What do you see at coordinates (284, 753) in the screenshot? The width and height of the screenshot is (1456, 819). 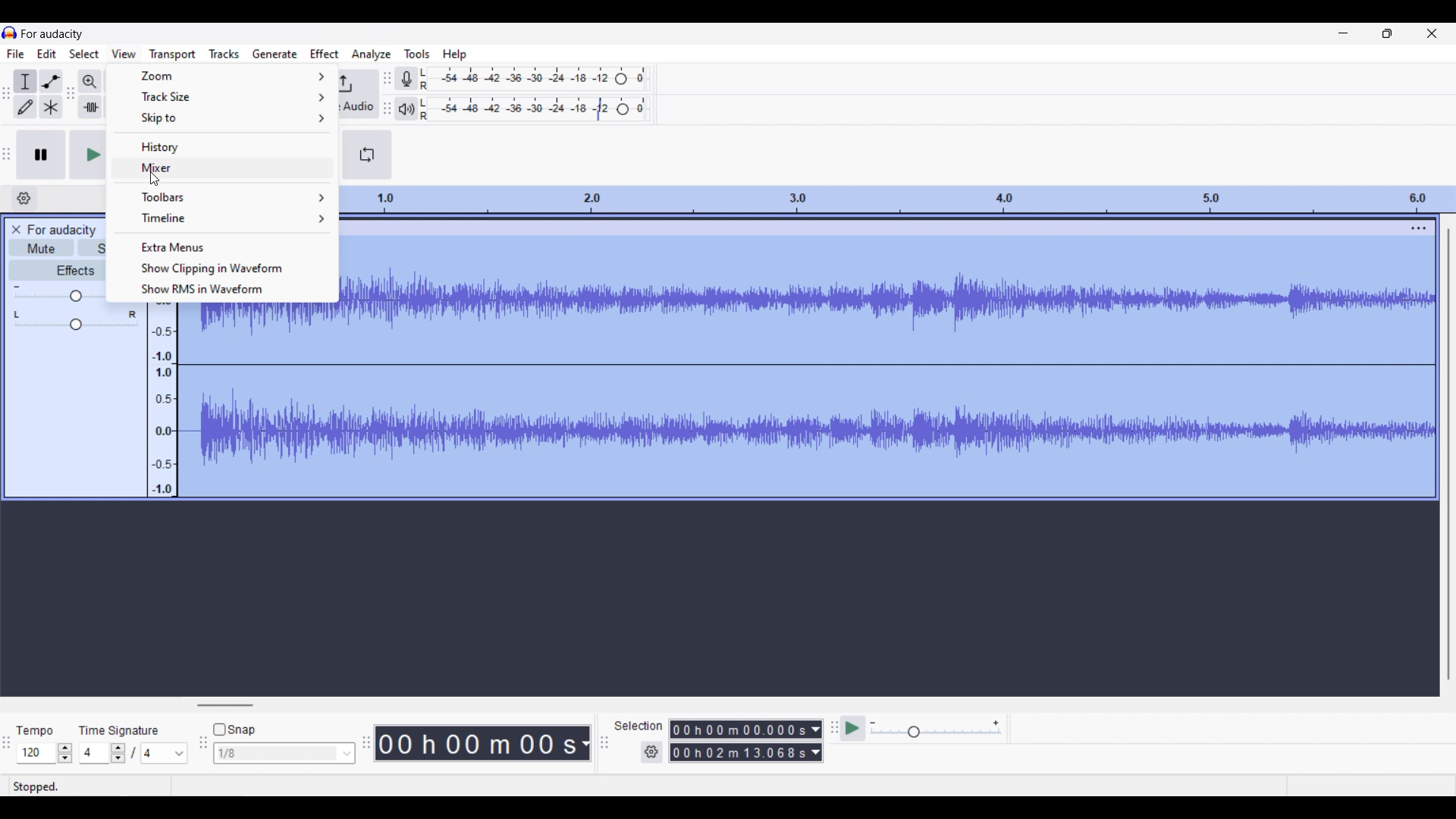 I see `Snap options` at bounding box center [284, 753].